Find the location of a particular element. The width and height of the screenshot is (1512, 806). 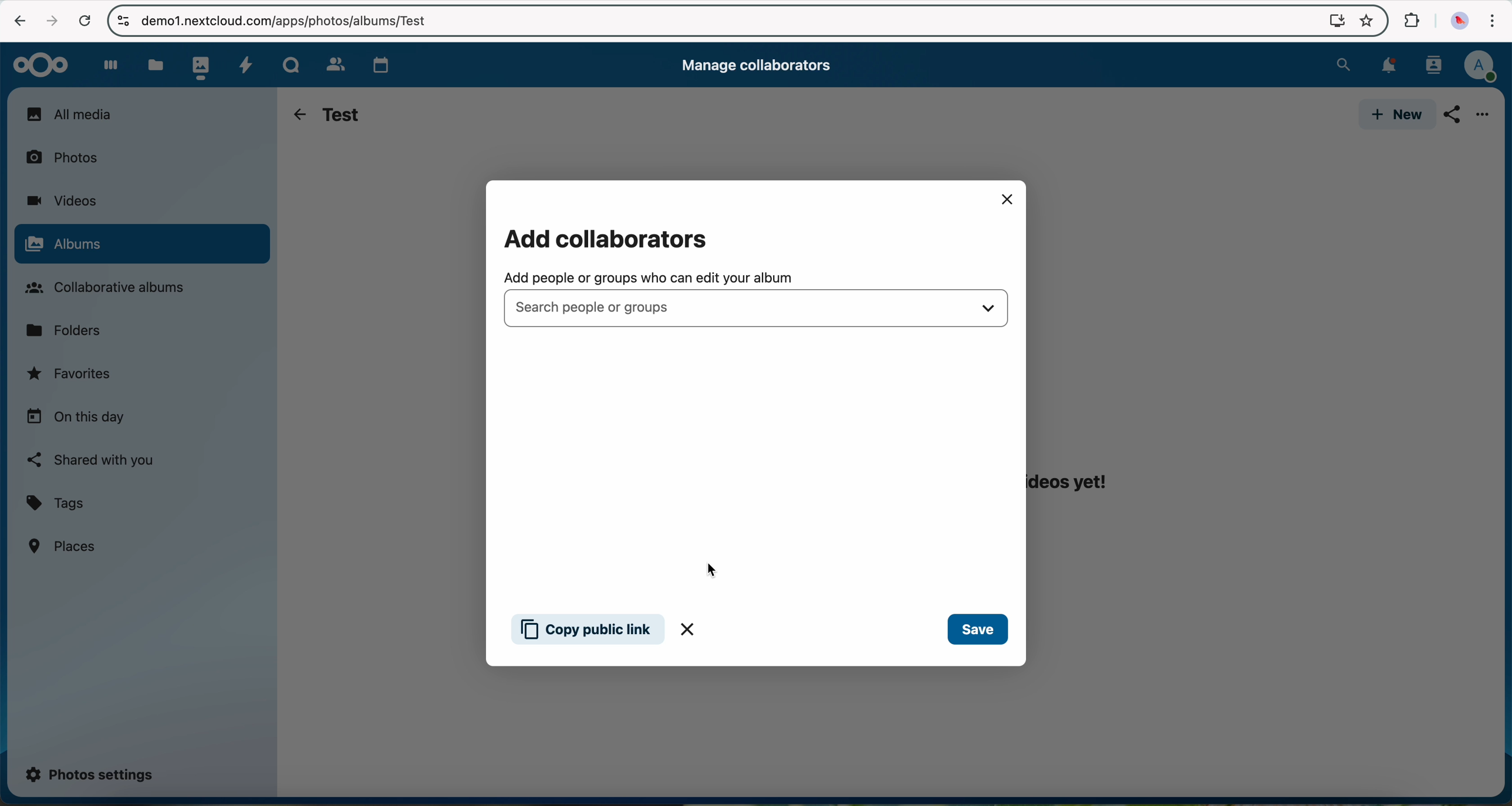

navigate foward is located at coordinates (49, 21).